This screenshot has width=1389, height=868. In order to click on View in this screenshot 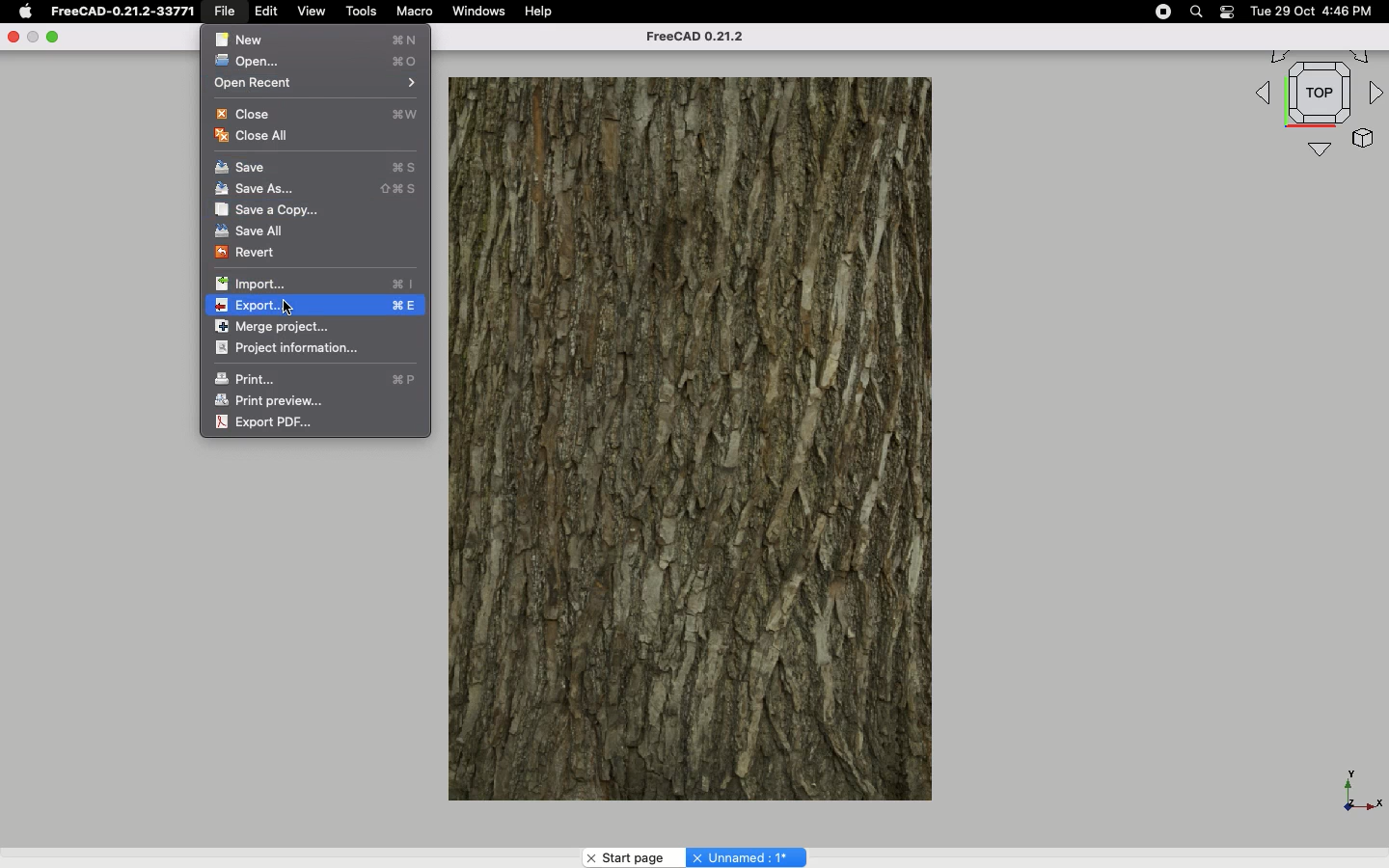, I will do `click(312, 12)`.